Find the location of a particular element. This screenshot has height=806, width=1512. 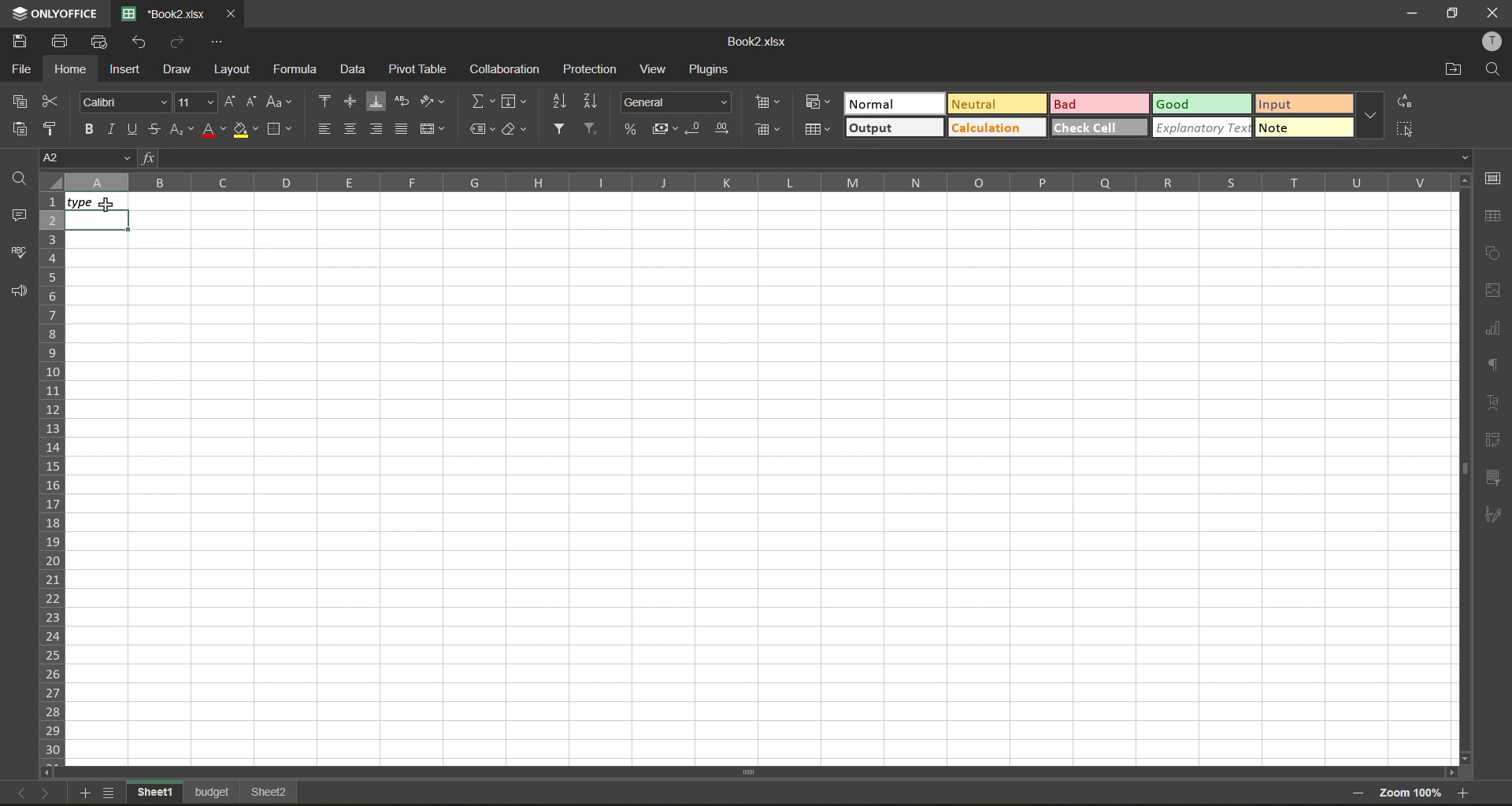

align top is located at coordinates (324, 101).